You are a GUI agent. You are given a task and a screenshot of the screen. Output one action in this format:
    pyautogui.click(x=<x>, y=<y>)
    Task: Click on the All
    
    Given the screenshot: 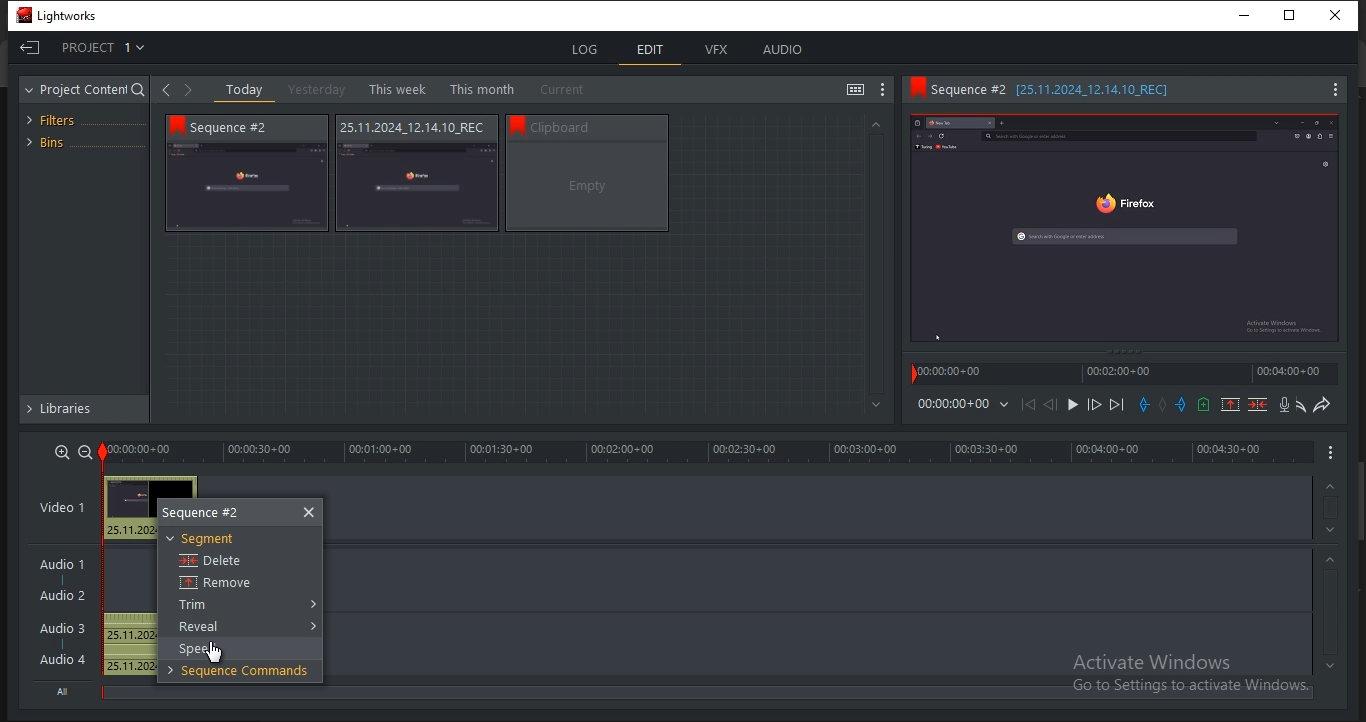 What is the action you would take?
    pyautogui.click(x=65, y=691)
    